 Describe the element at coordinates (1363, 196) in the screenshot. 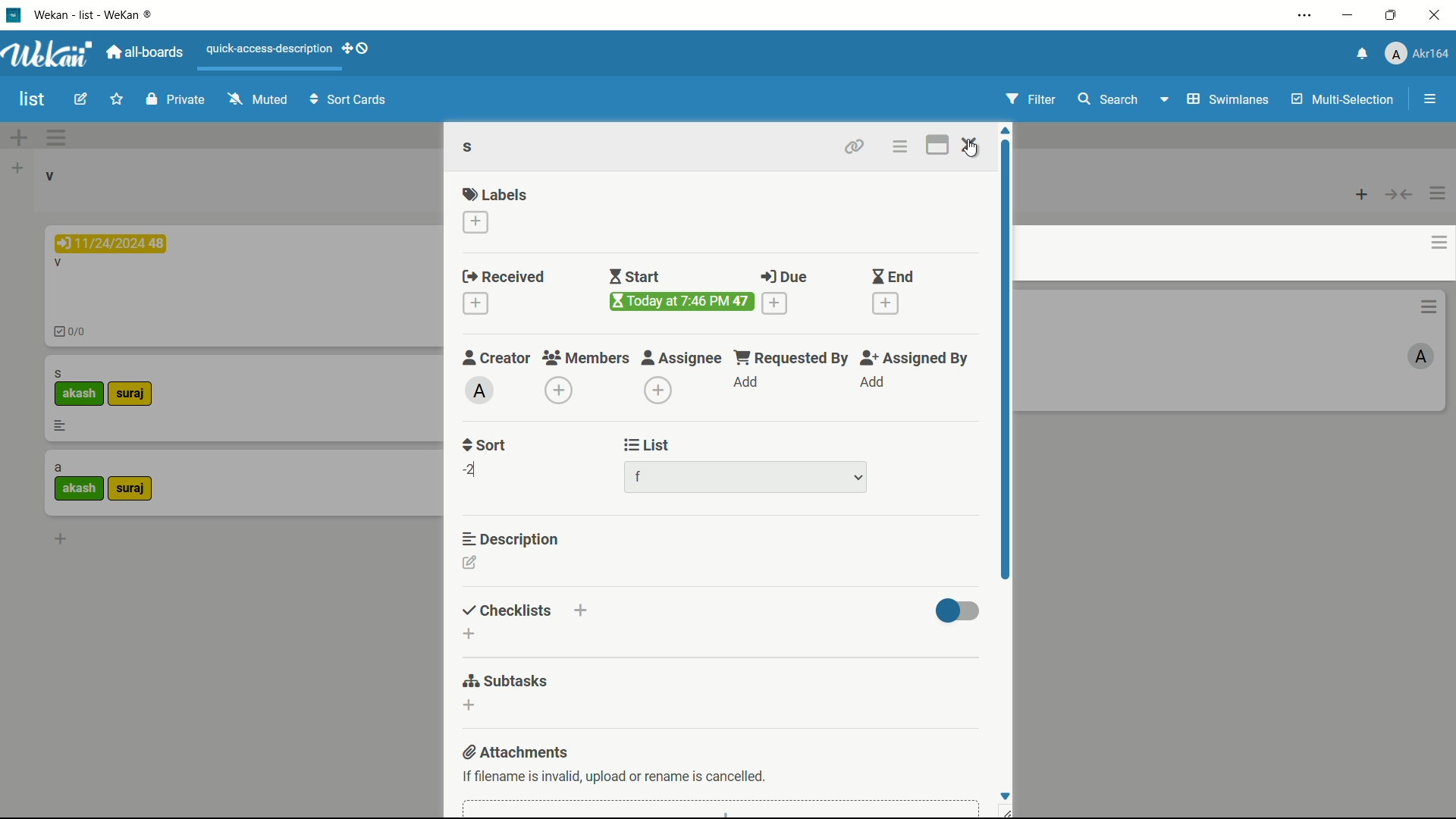

I see `add card top of list` at that location.